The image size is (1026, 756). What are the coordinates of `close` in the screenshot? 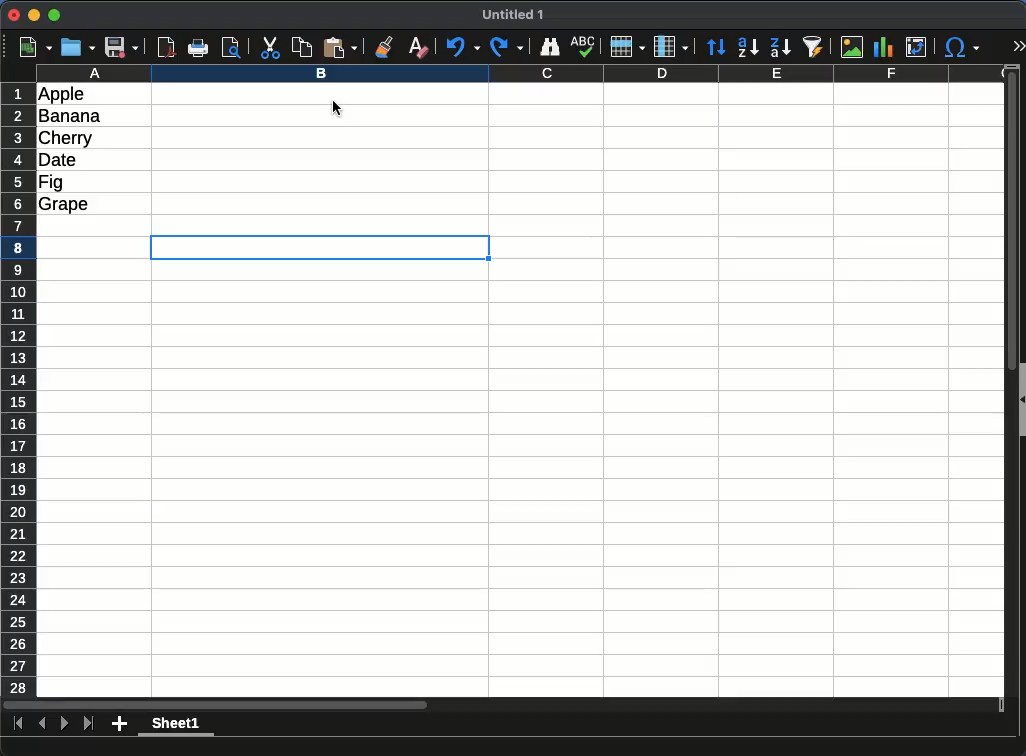 It's located at (14, 15).